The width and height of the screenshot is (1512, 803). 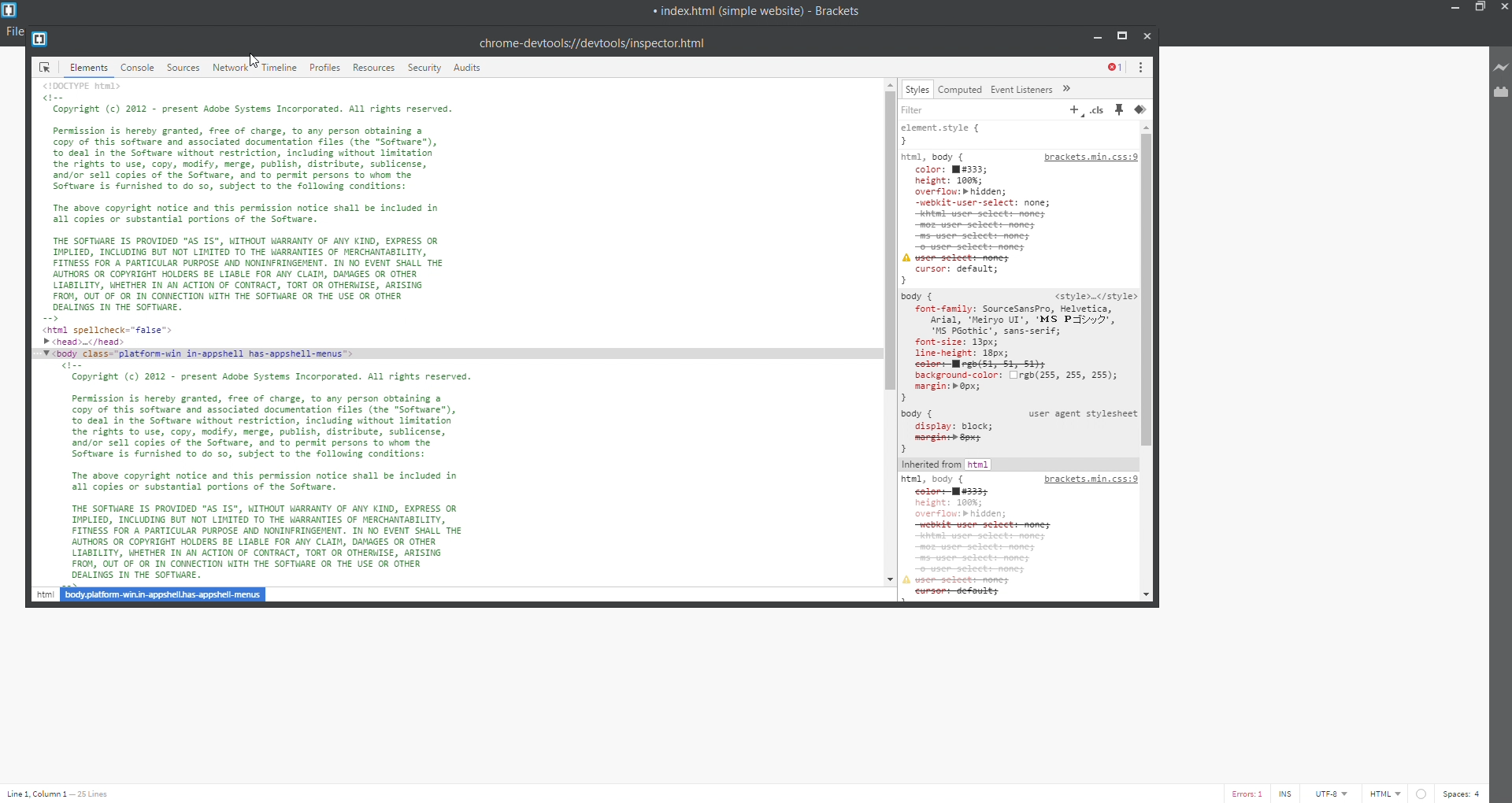 What do you see at coordinates (469, 67) in the screenshot?
I see `audits` at bounding box center [469, 67].